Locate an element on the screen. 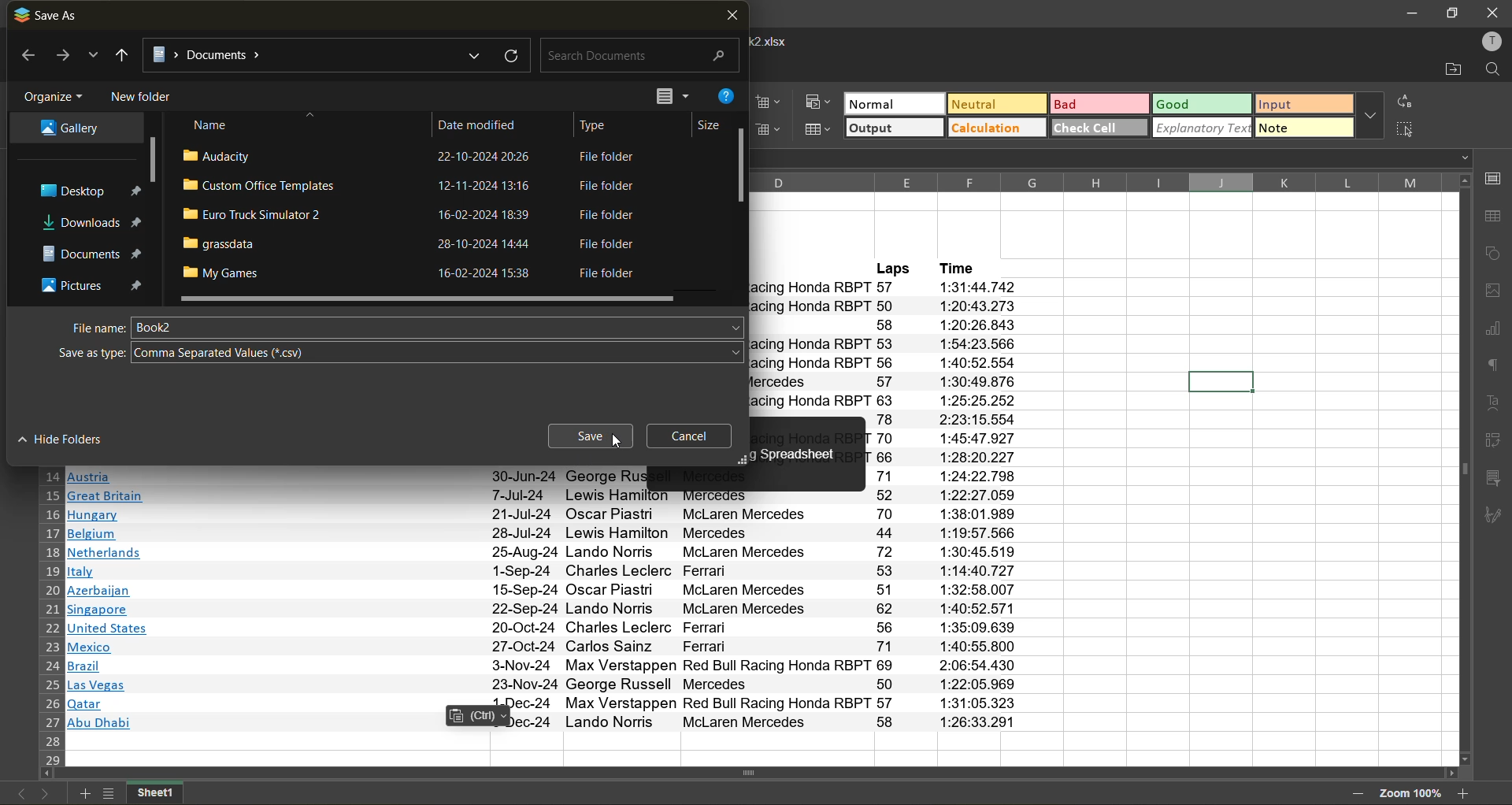 This screenshot has width=1512, height=805. refresh is located at coordinates (509, 54).